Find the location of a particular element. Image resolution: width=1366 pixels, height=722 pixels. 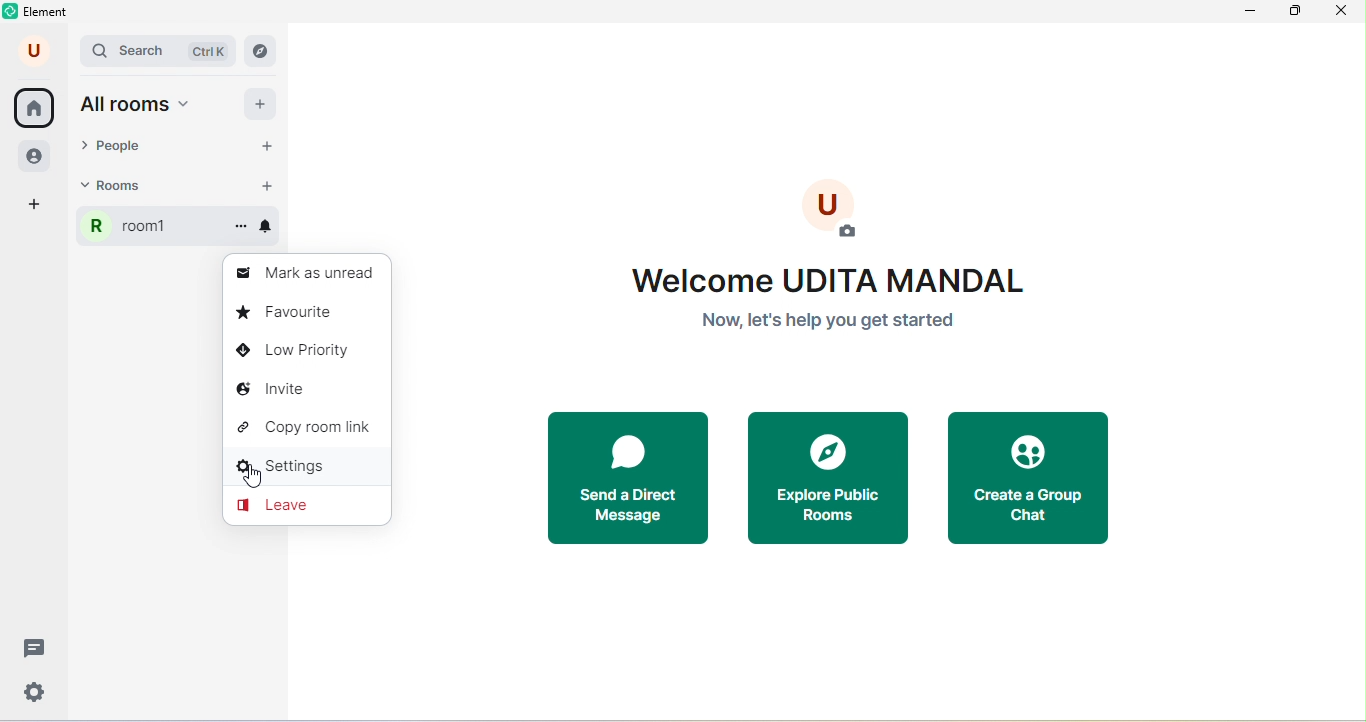

quick settings is located at coordinates (41, 693).